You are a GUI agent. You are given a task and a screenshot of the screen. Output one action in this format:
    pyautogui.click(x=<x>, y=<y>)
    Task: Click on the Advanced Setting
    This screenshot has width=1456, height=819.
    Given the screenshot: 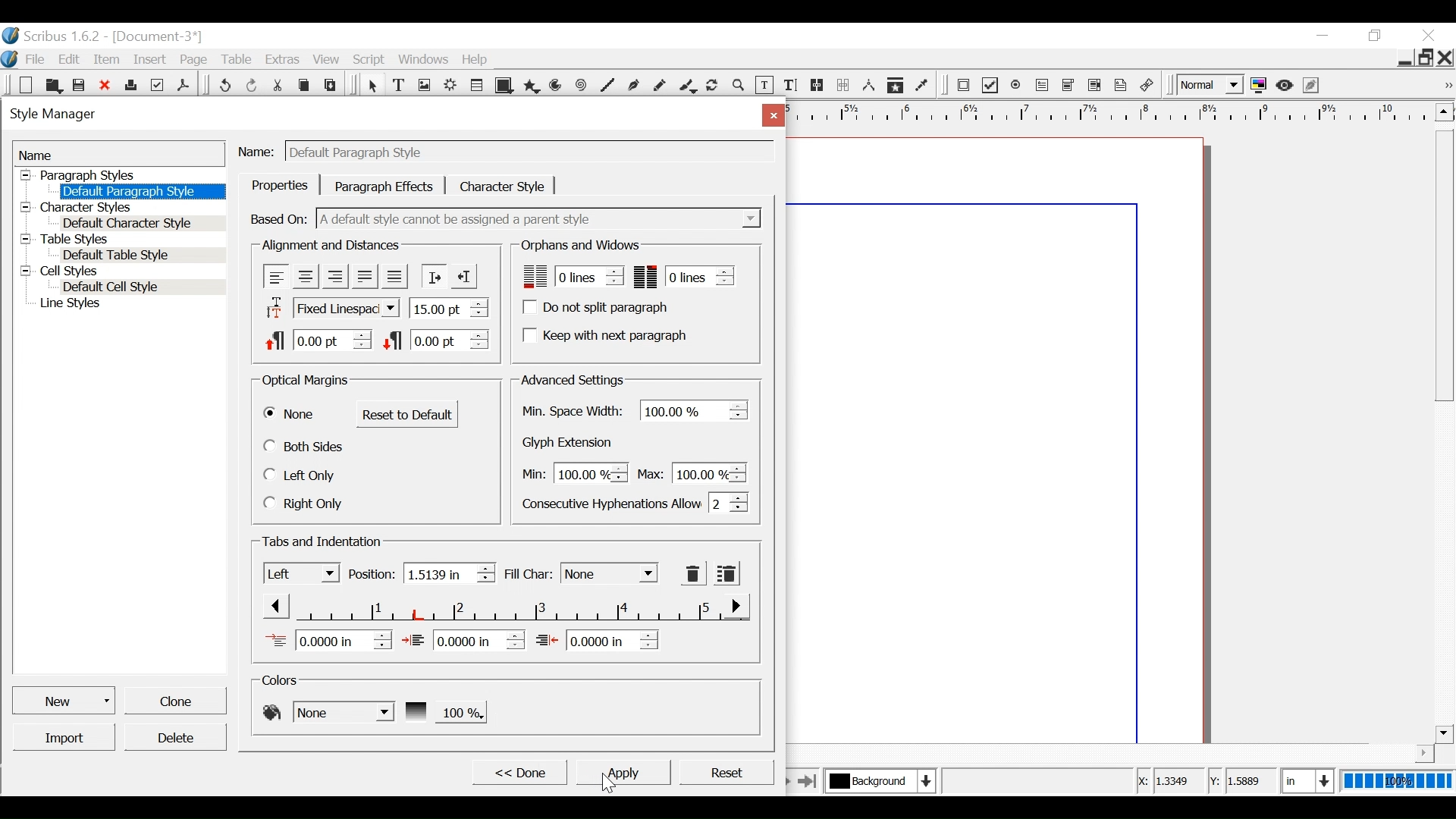 What is the action you would take?
    pyautogui.click(x=572, y=380)
    